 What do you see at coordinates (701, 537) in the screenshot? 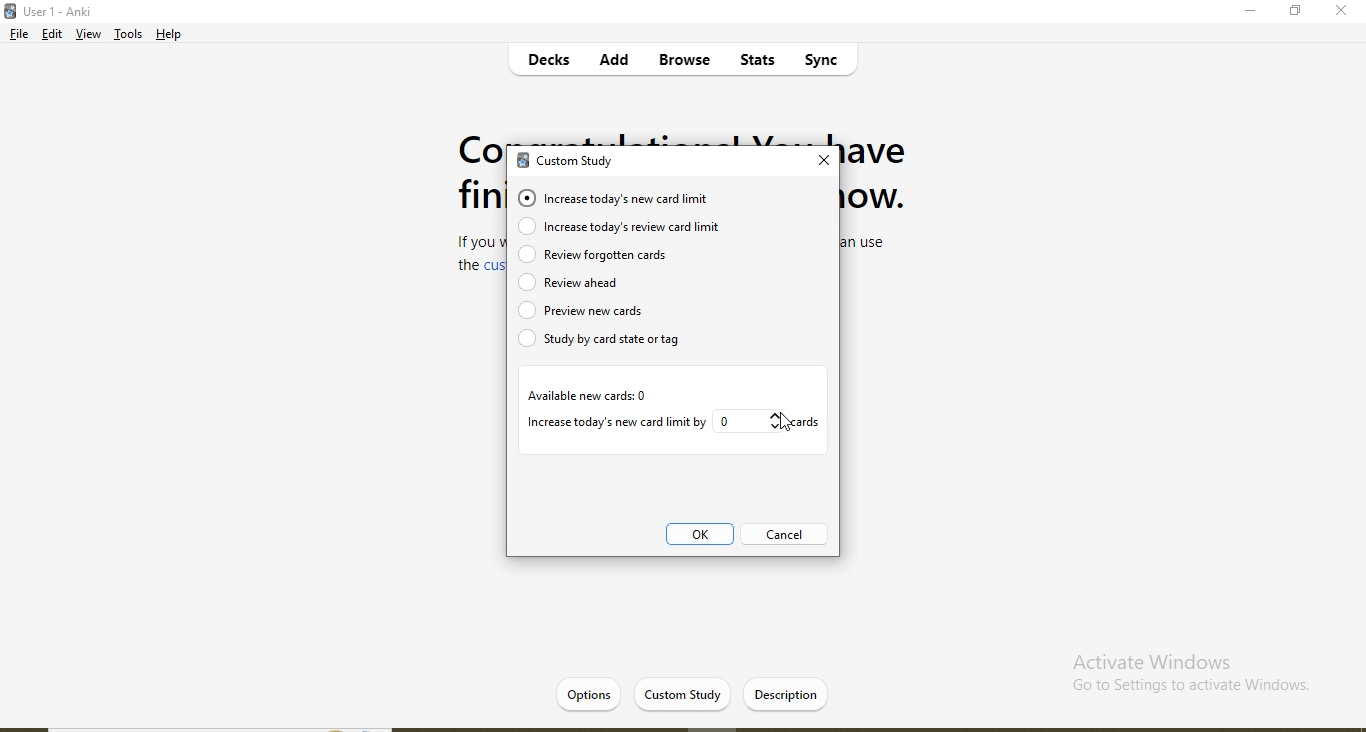
I see `ok` at bounding box center [701, 537].